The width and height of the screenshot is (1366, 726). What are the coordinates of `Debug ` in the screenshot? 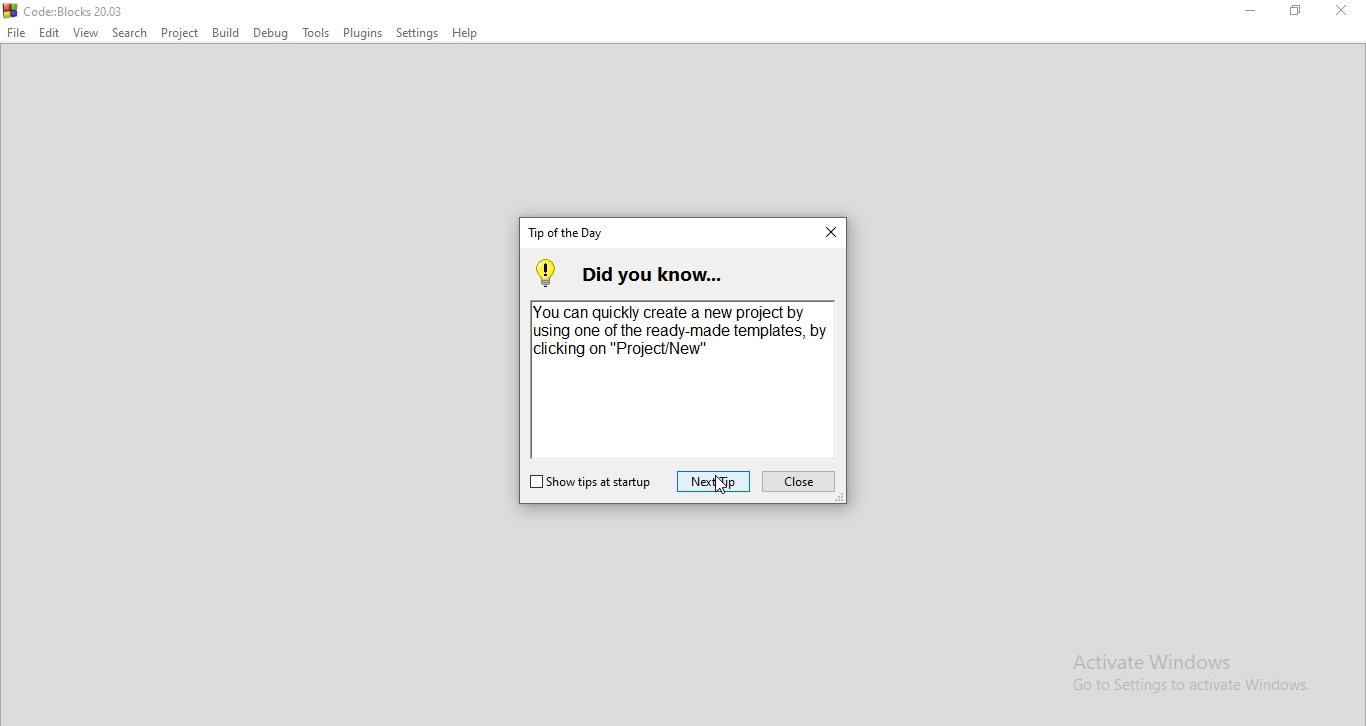 It's located at (271, 32).